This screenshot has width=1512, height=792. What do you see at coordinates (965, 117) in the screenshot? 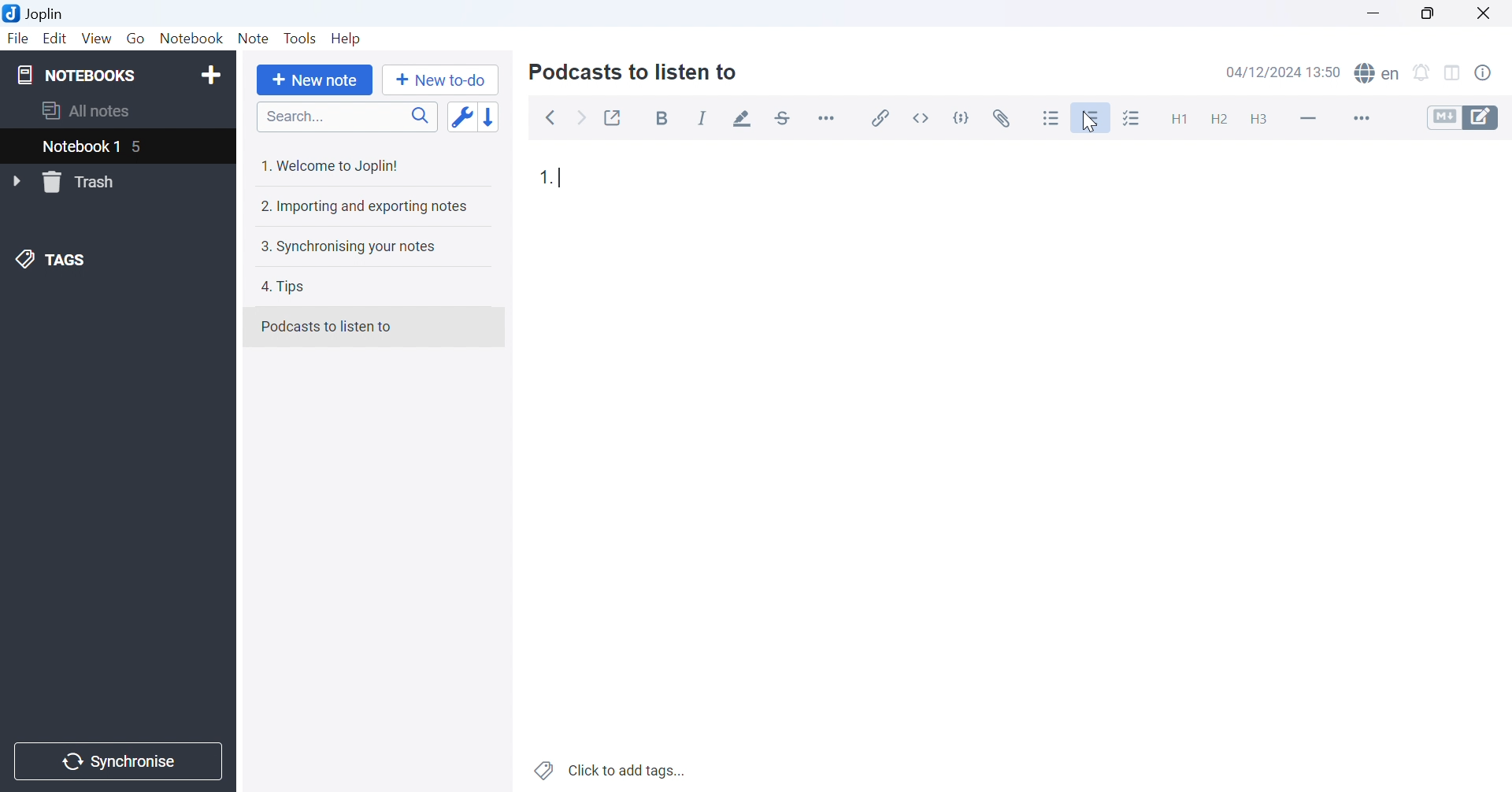
I see `Code` at bounding box center [965, 117].